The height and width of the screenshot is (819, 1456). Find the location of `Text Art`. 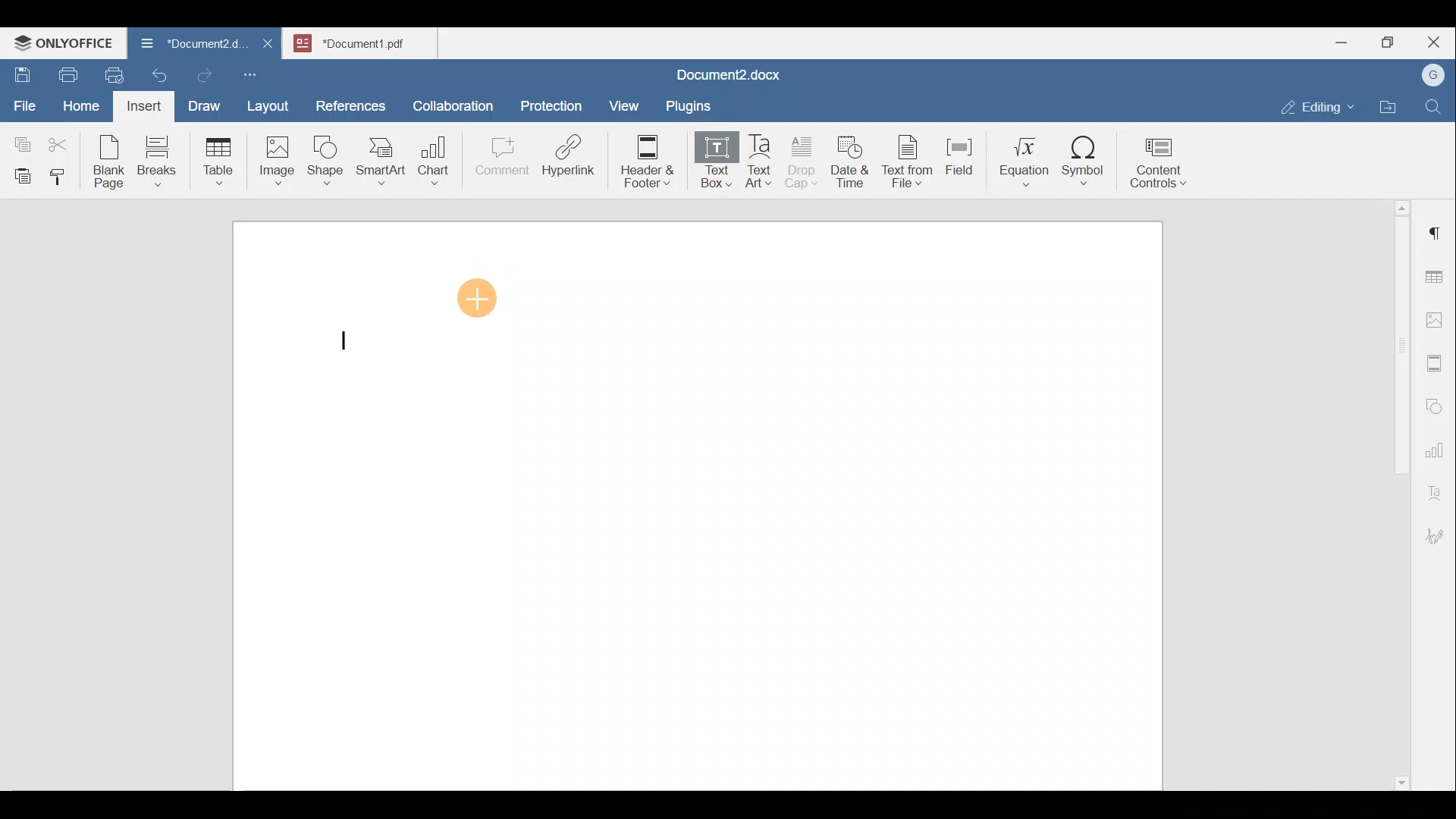

Text Art is located at coordinates (761, 162).